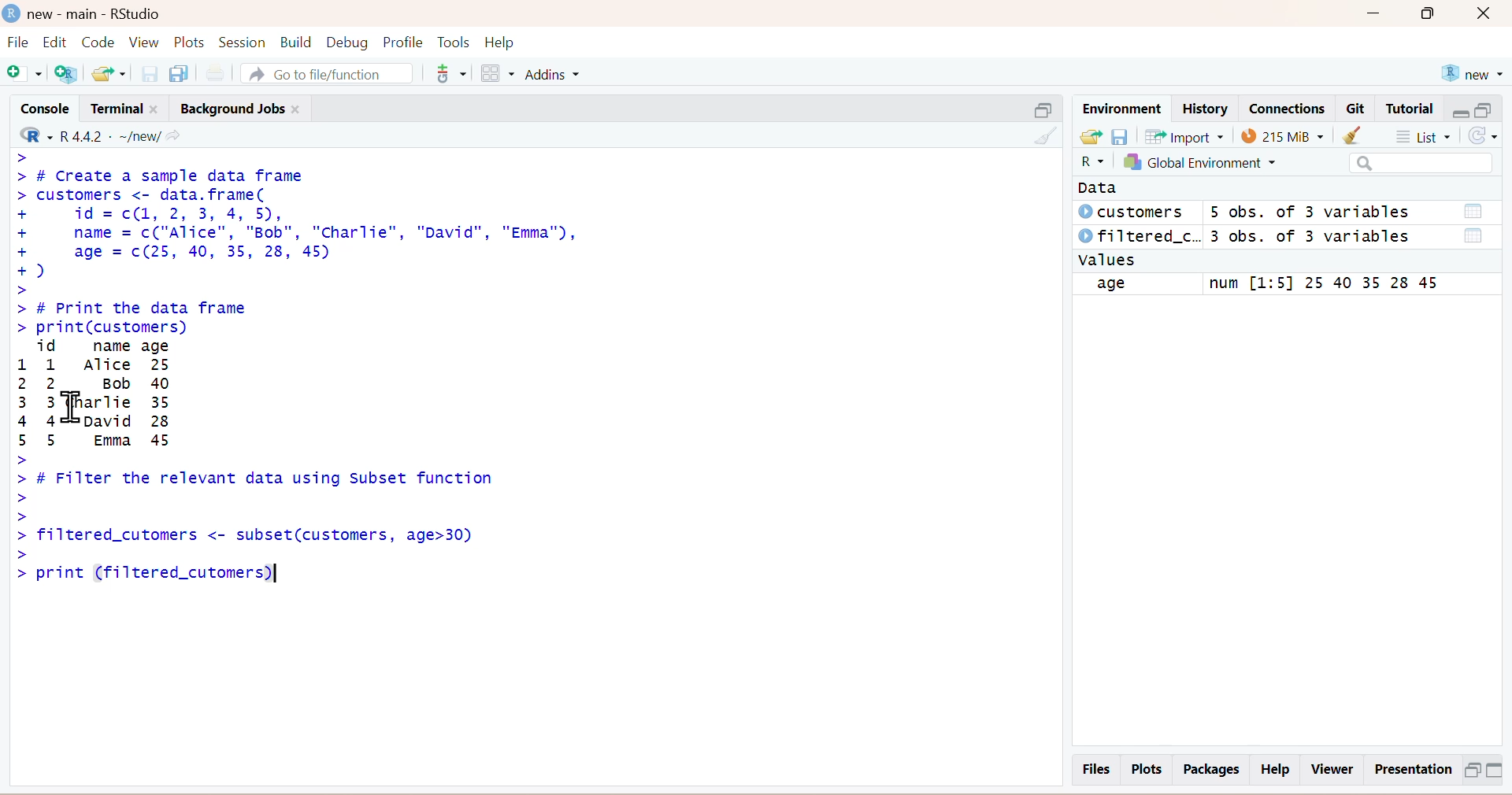  I want to click on - R442 - ~/new/, so click(119, 134).